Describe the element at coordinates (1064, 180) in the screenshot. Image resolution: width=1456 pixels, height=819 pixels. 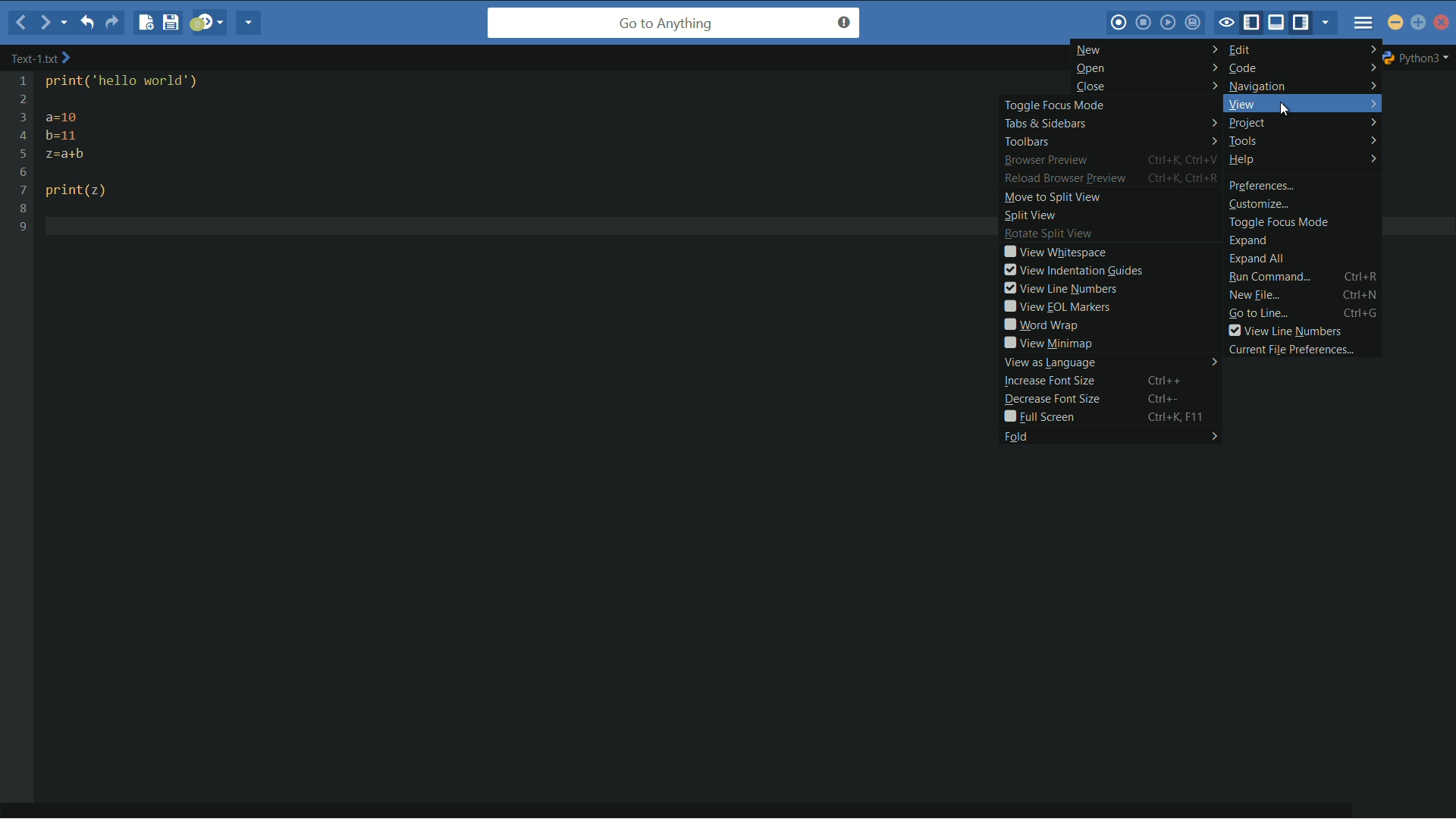
I see `reload browser preview` at that location.